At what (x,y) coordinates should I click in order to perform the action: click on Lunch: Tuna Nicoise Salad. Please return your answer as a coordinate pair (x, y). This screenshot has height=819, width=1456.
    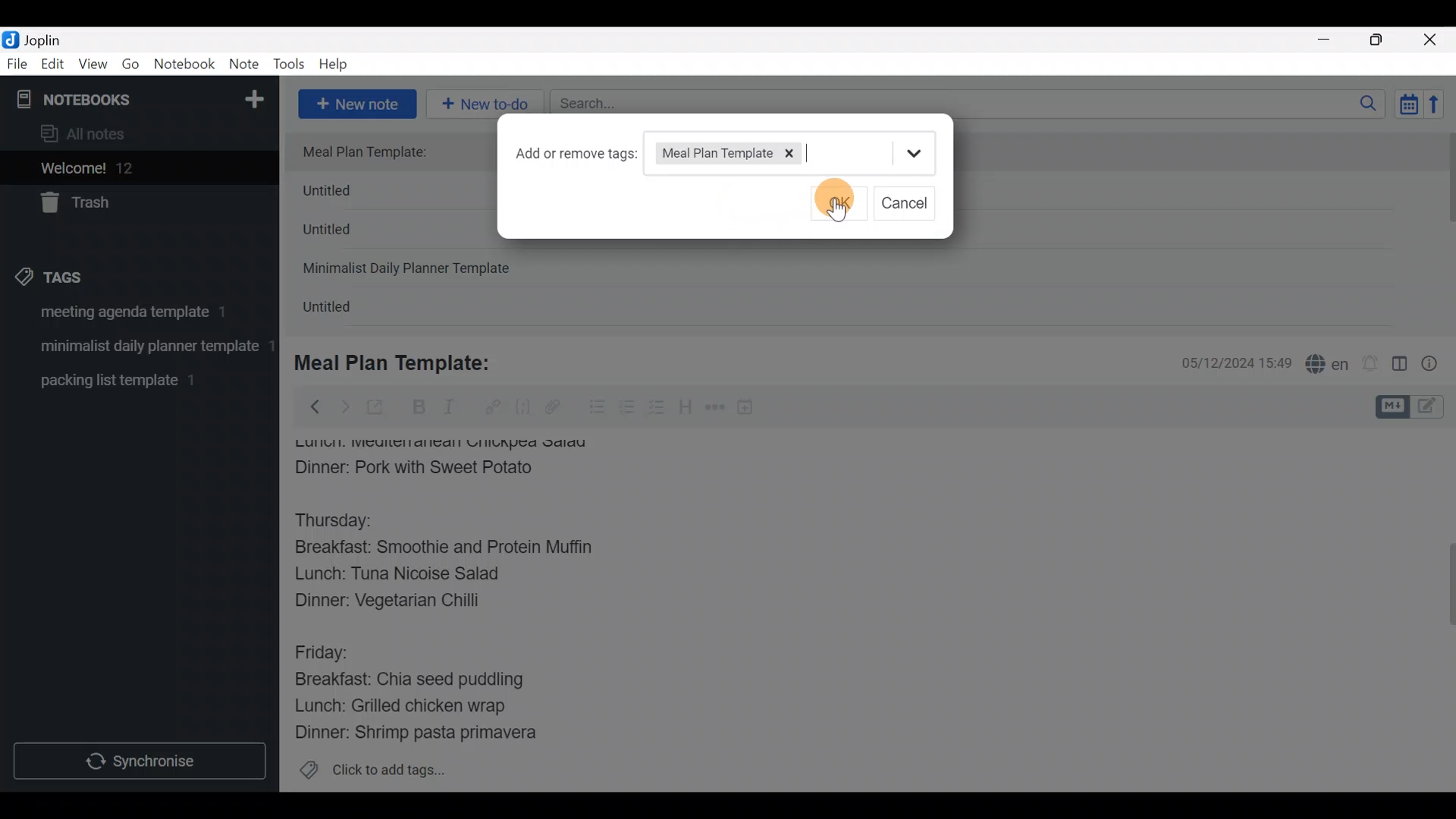
    Looking at the image, I should click on (410, 577).